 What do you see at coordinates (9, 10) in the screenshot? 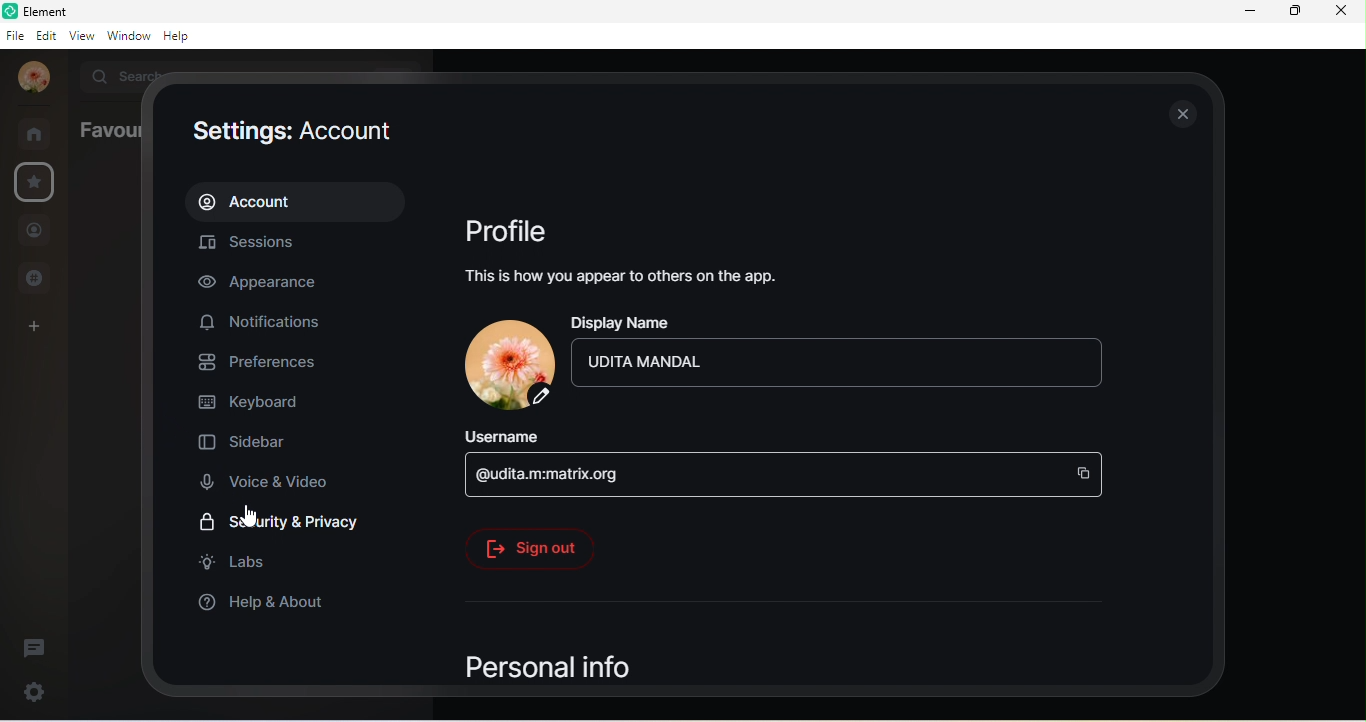
I see `element logo` at bounding box center [9, 10].